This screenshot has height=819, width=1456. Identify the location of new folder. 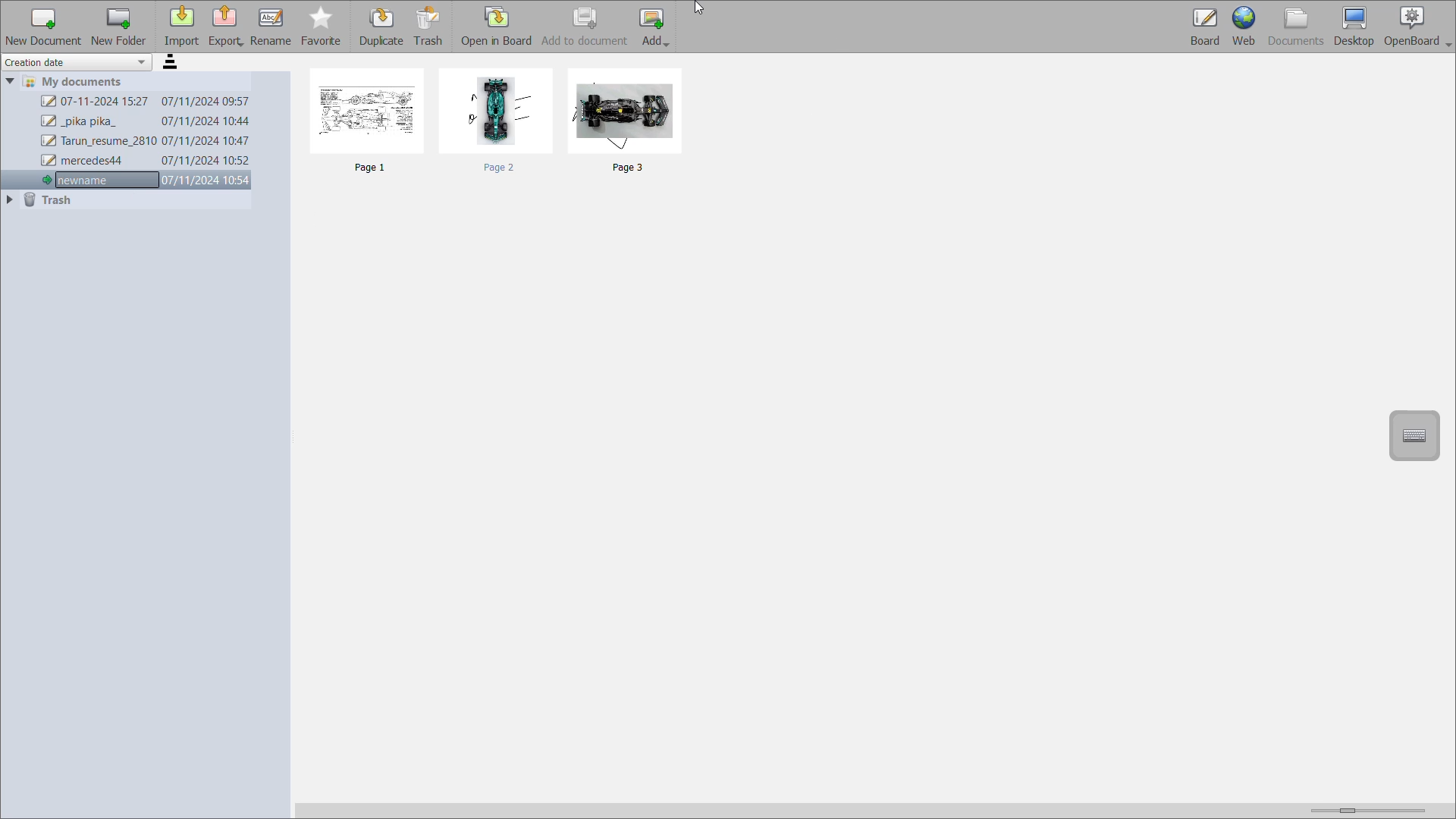
(119, 27).